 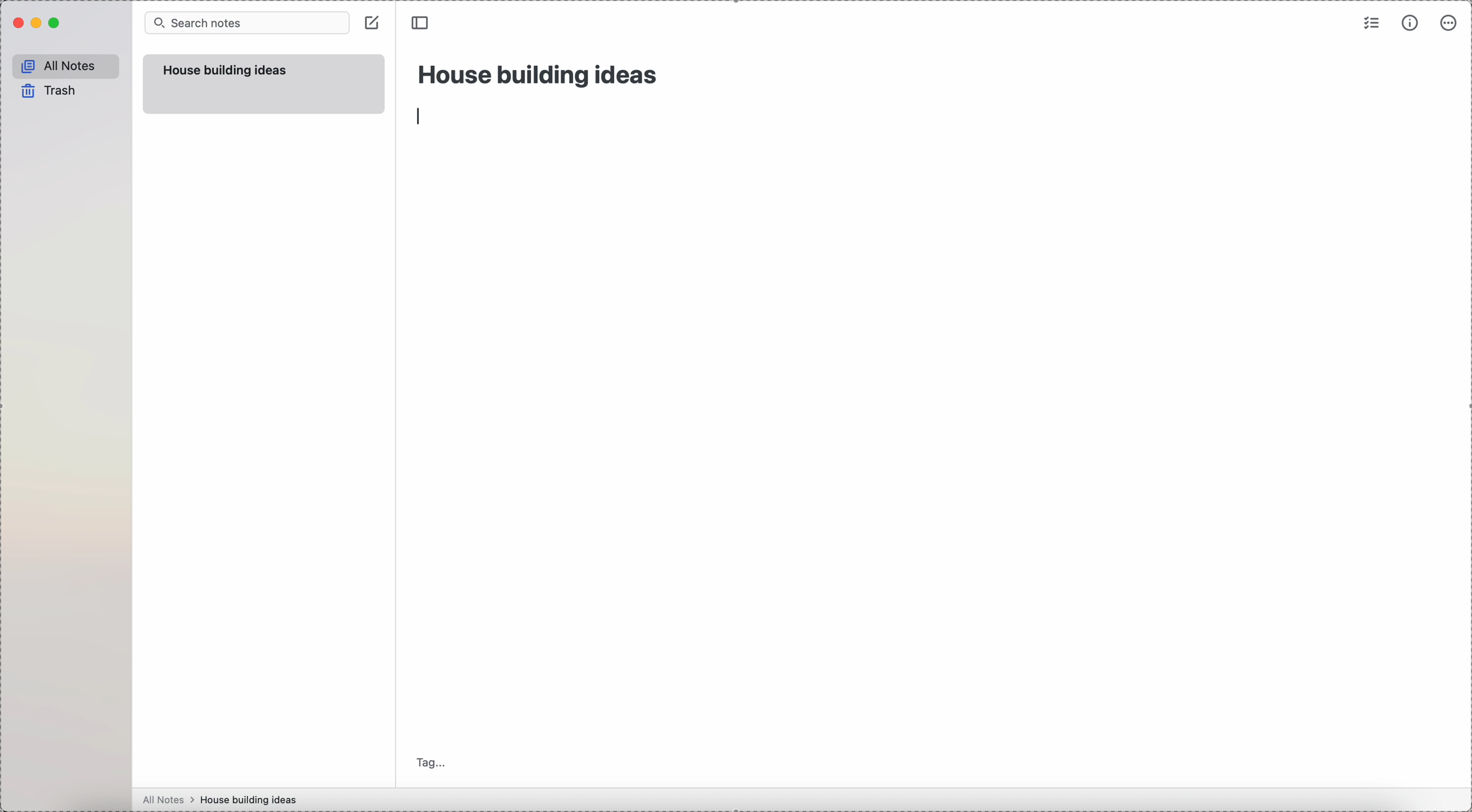 I want to click on tag, so click(x=433, y=762).